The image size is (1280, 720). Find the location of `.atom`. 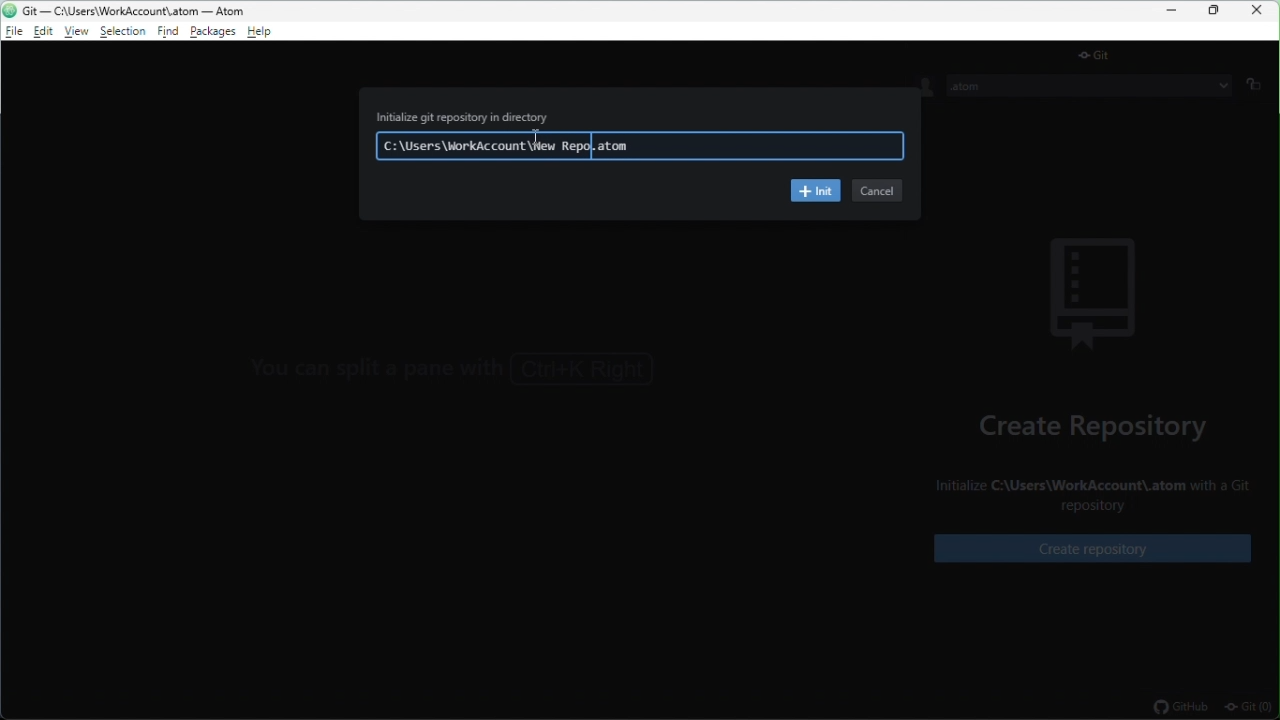

.atom is located at coordinates (1091, 88).